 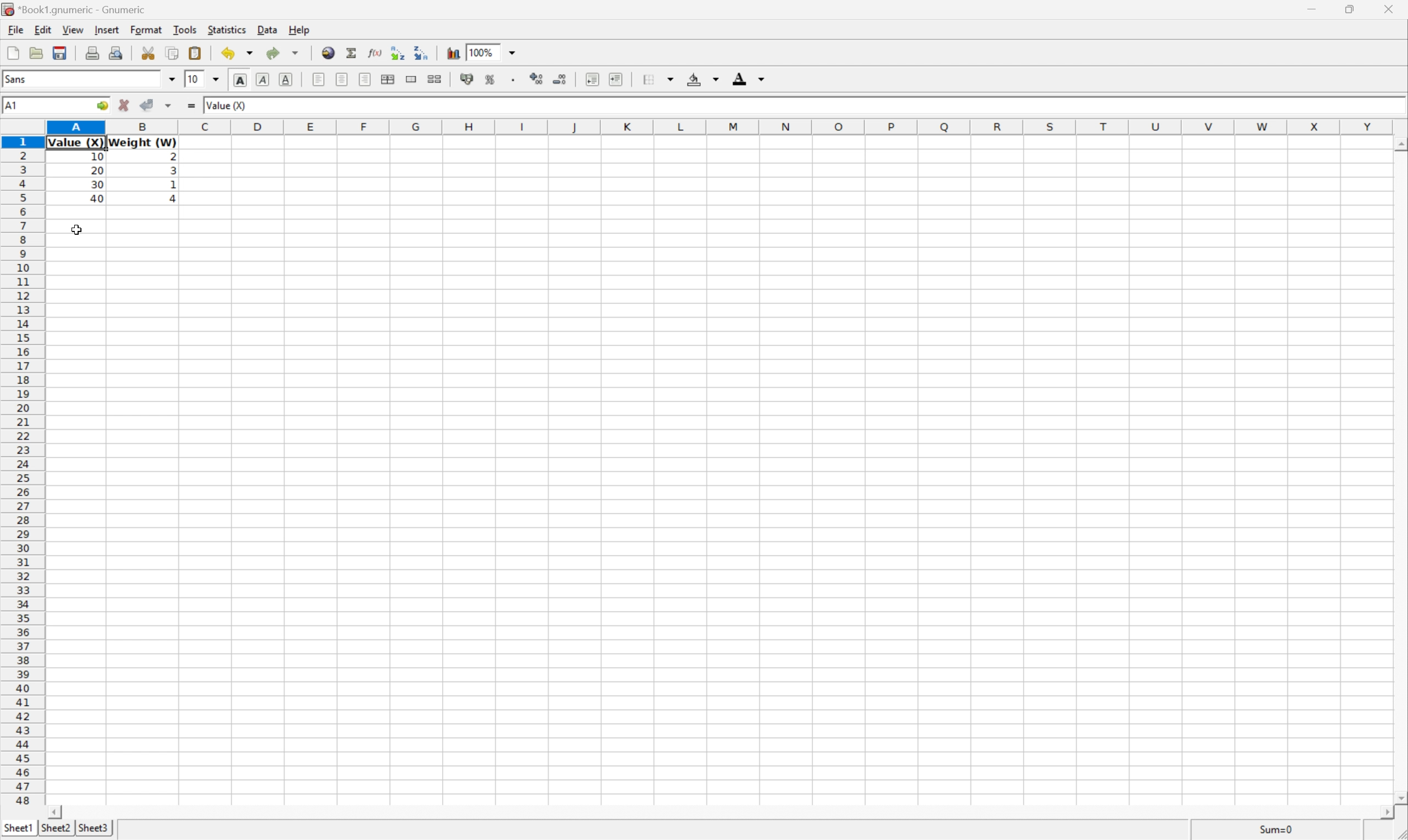 What do you see at coordinates (330, 52) in the screenshot?
I see `Insert hyperlink` at bounding box center [330, 52].